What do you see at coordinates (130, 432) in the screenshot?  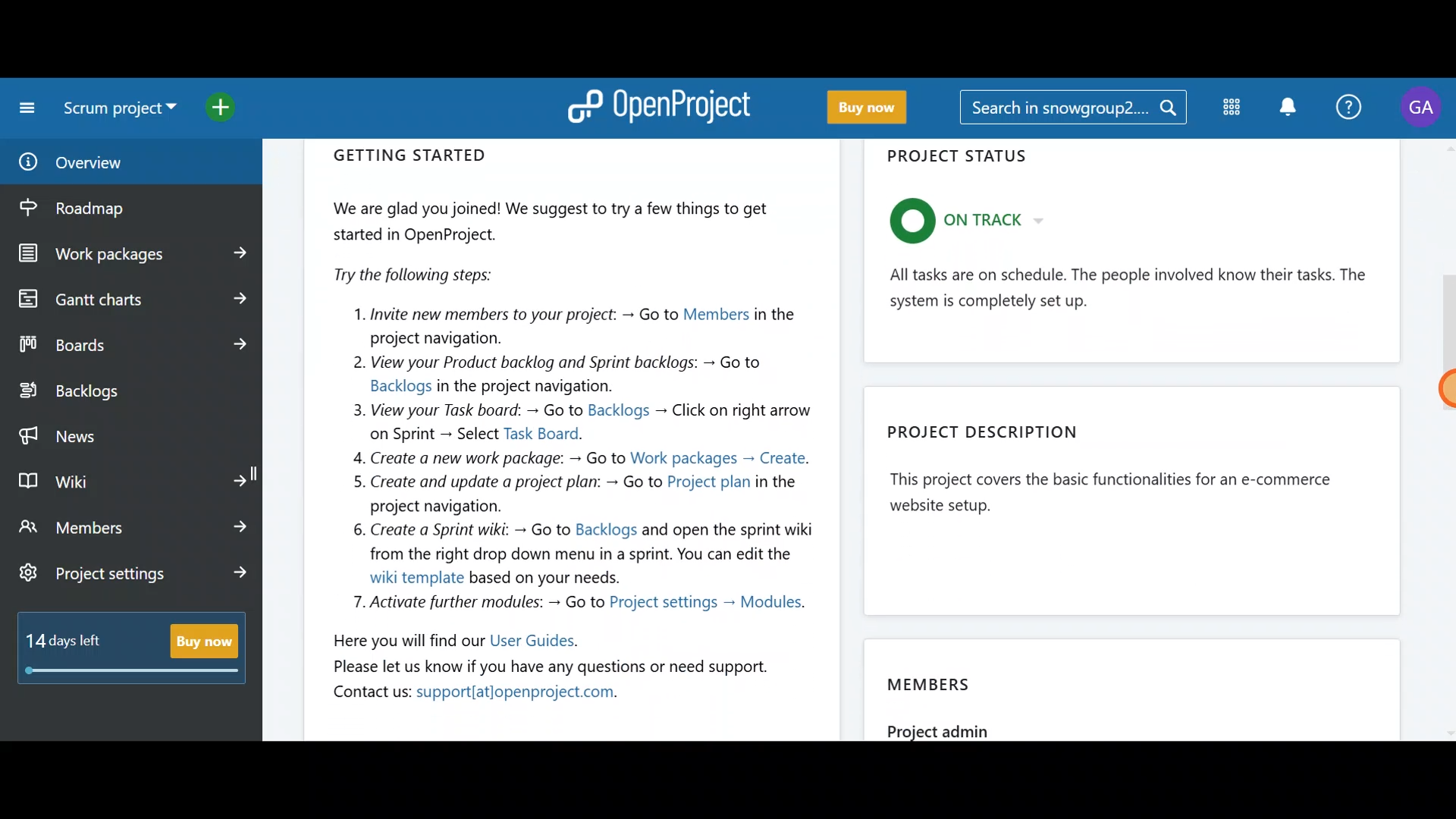 I see `News` at bounding box center [130, 432].